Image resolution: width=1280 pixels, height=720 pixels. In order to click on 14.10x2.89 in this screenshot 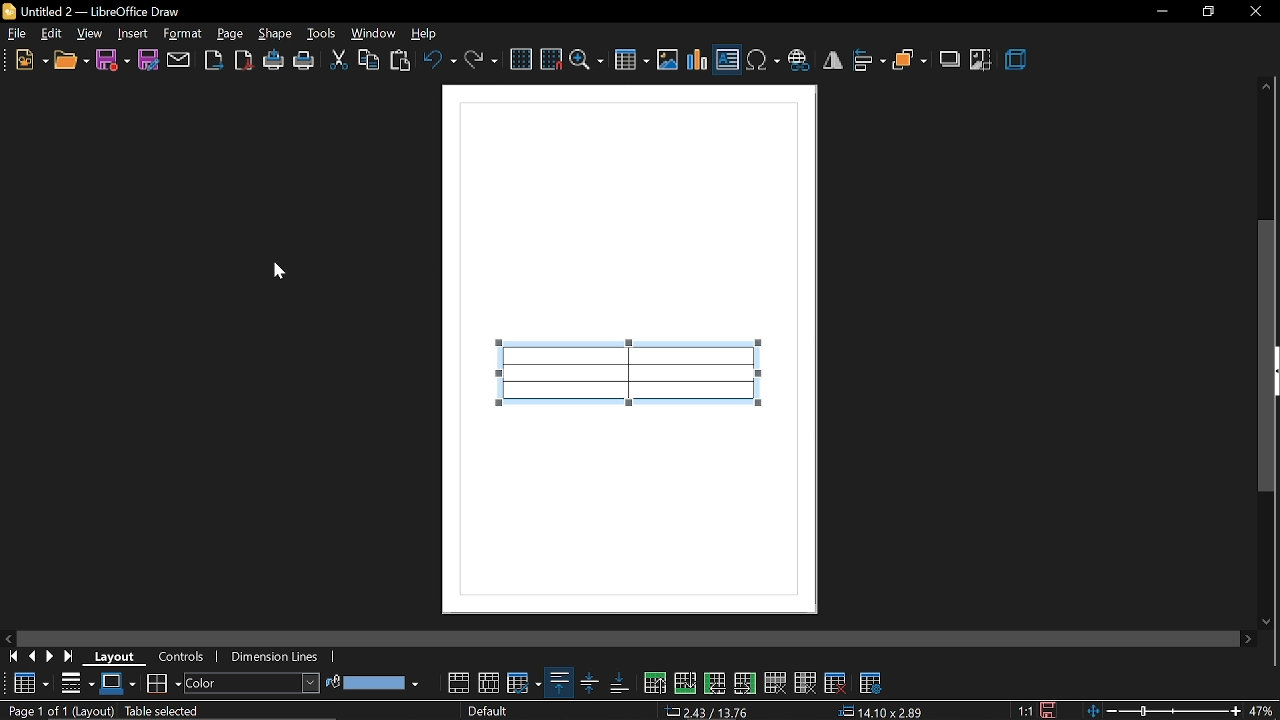, I will do `click(881, 711)`.